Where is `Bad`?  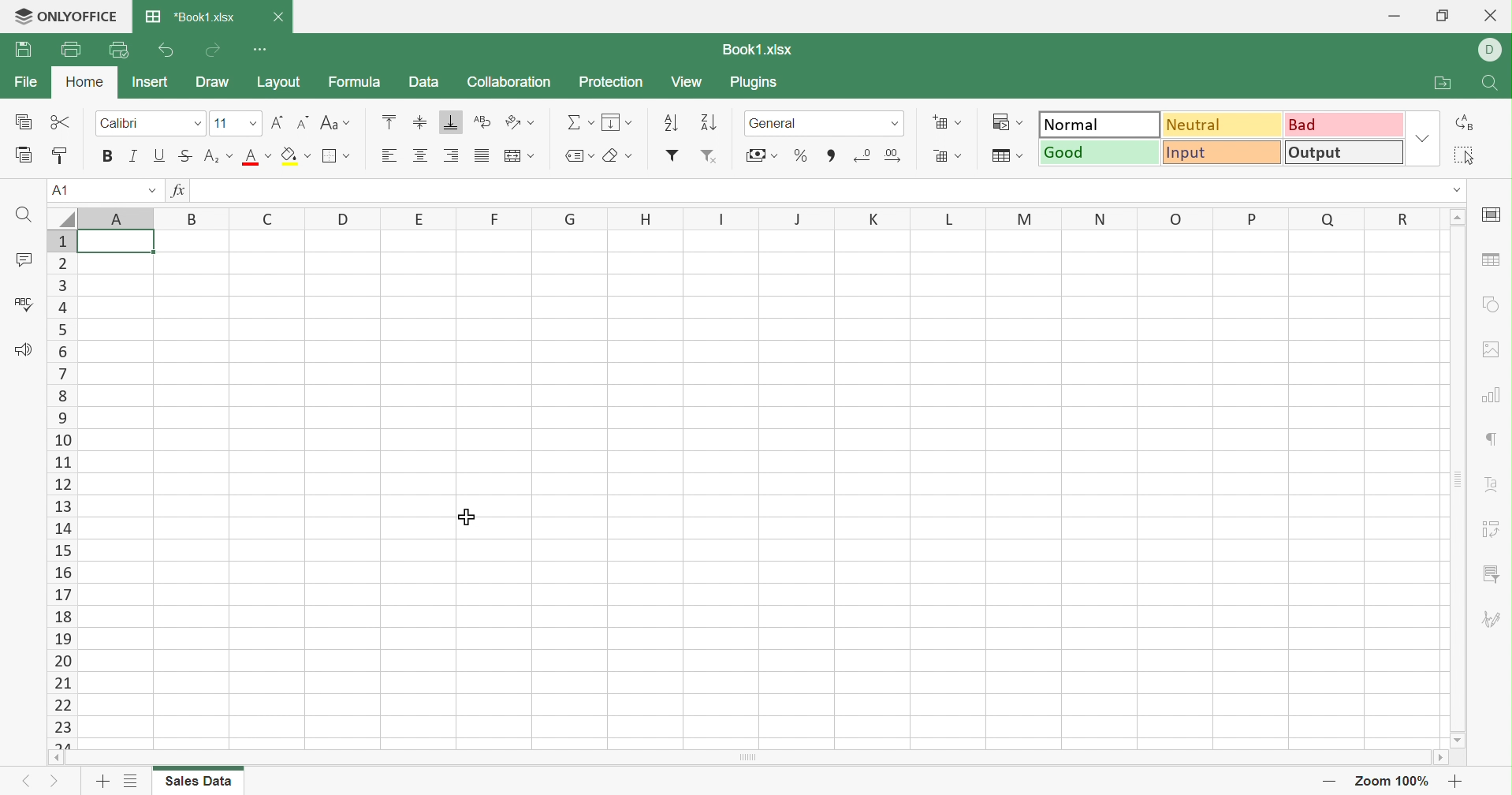 Bad is located at coordinates (1344, 124).